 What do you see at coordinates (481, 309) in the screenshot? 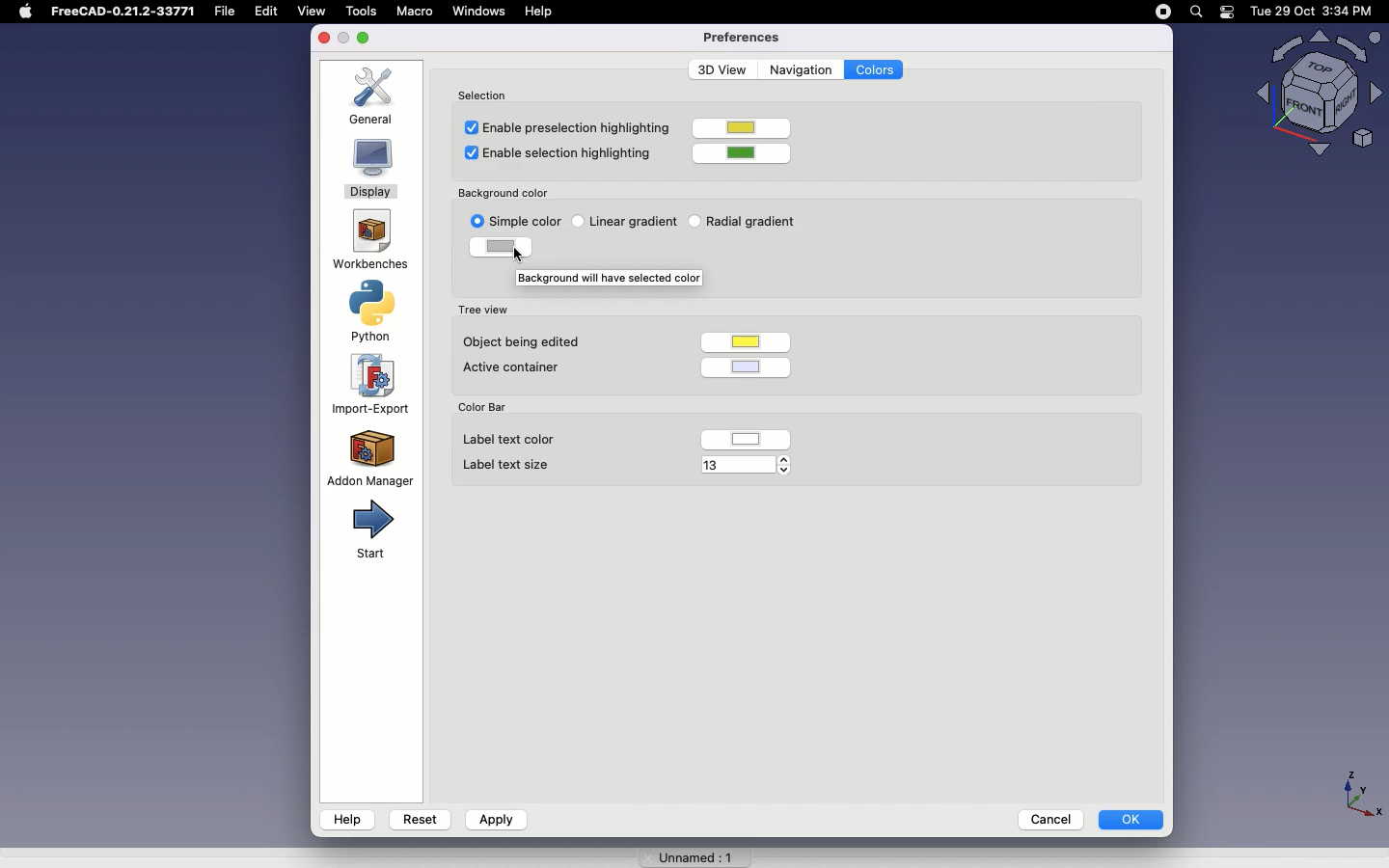
I see `Tree view` at bounding box center [481, 309].